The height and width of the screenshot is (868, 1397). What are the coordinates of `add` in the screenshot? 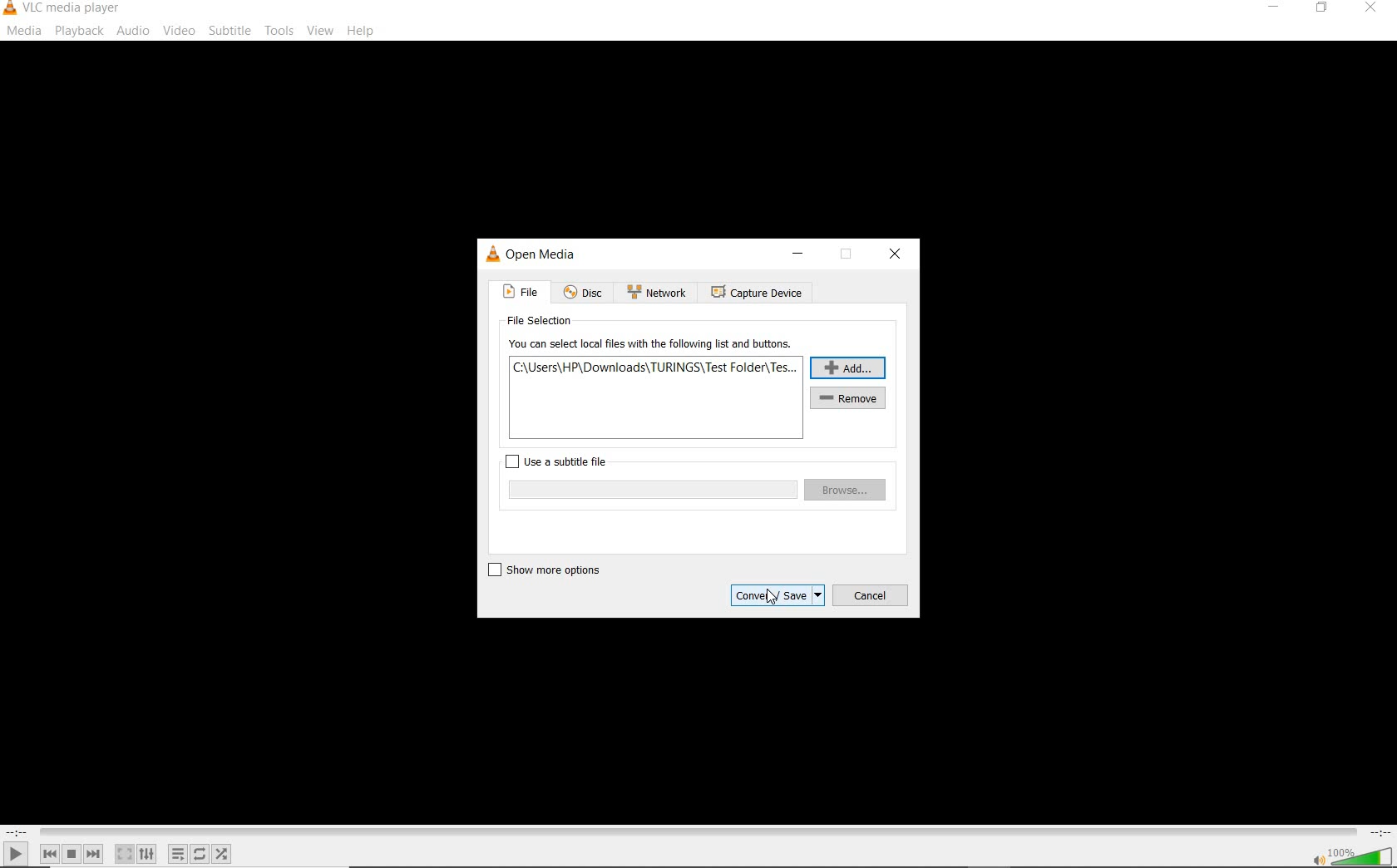 It's located at (848, 367).